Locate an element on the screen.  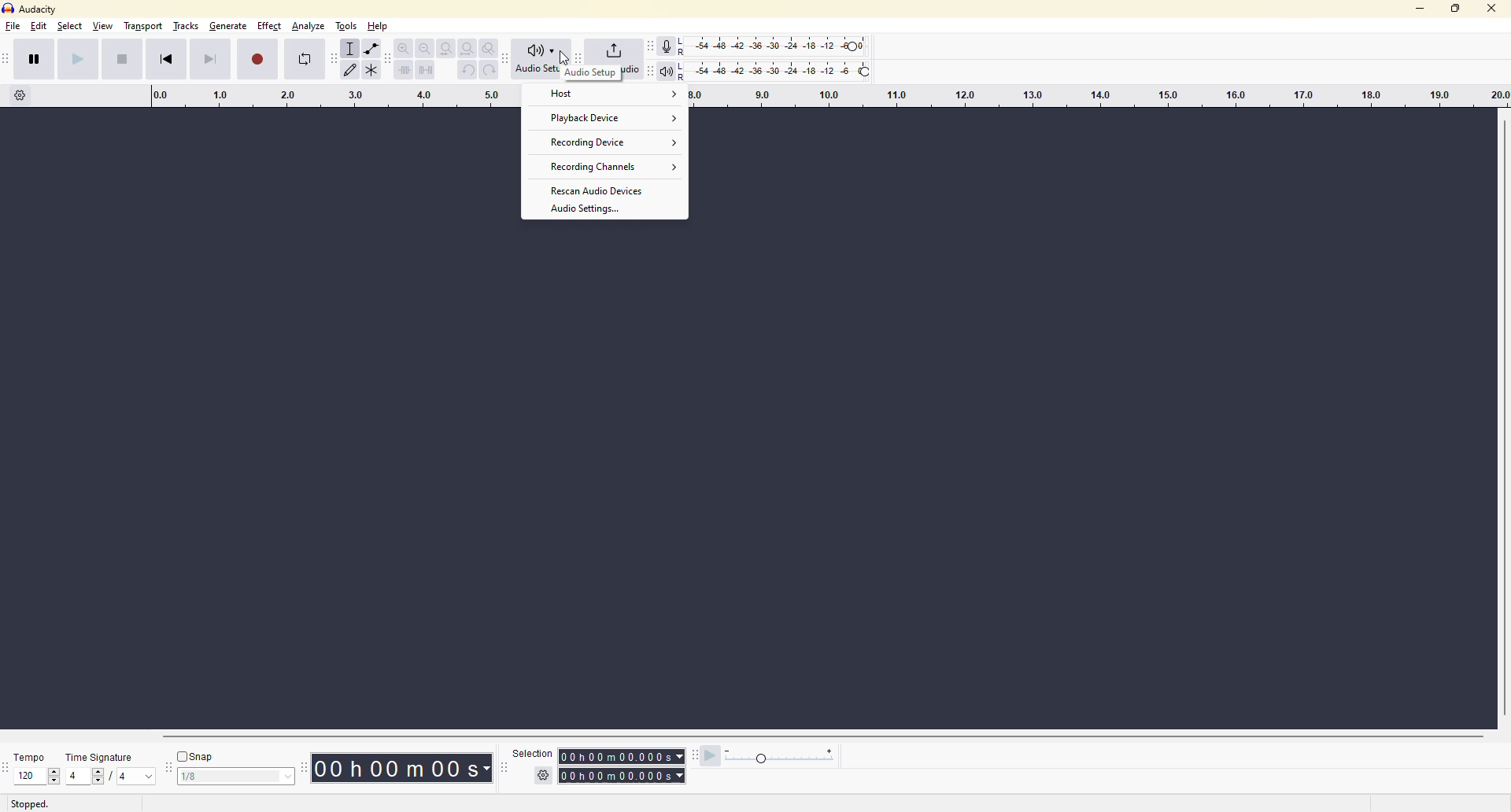
Audio Setup is located at coordinates (593, 75).